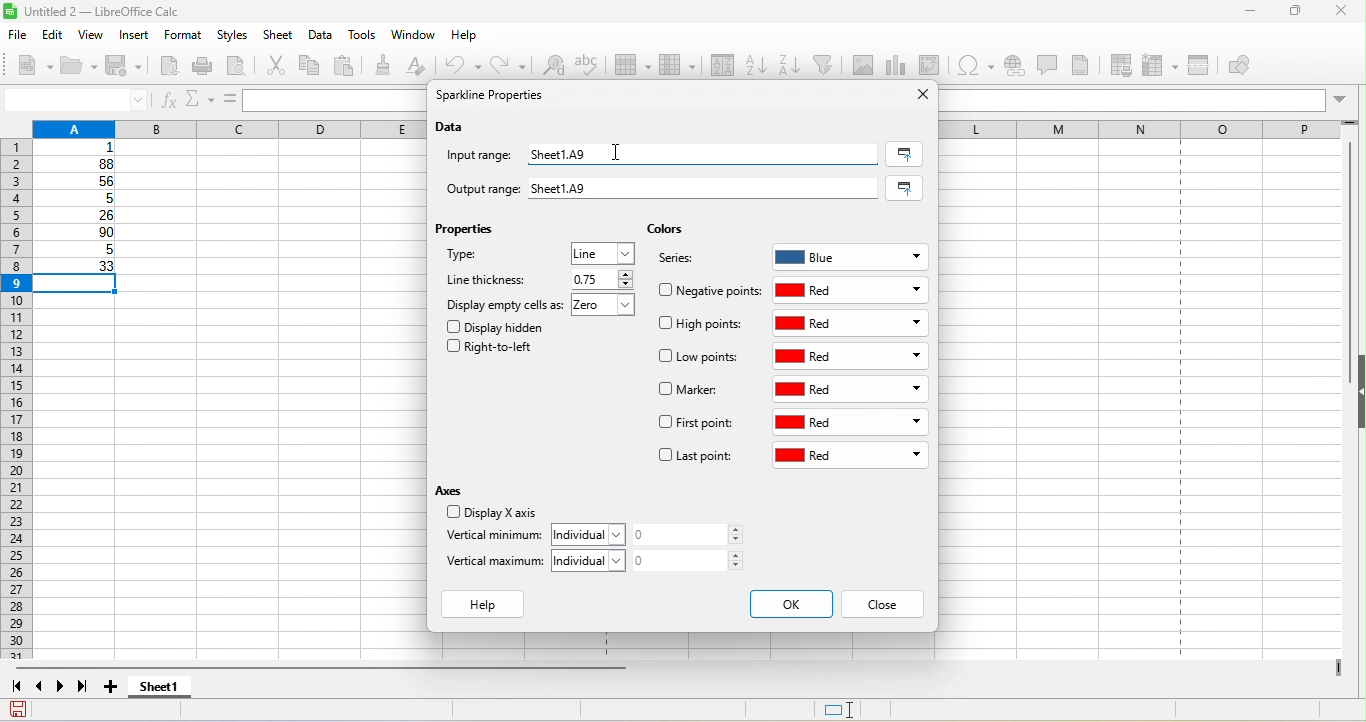 The width and height of the screenshot is (1366, 722). Describe the element at coordinates (243, 67) in the screenshot. I see `print preview` at that location.